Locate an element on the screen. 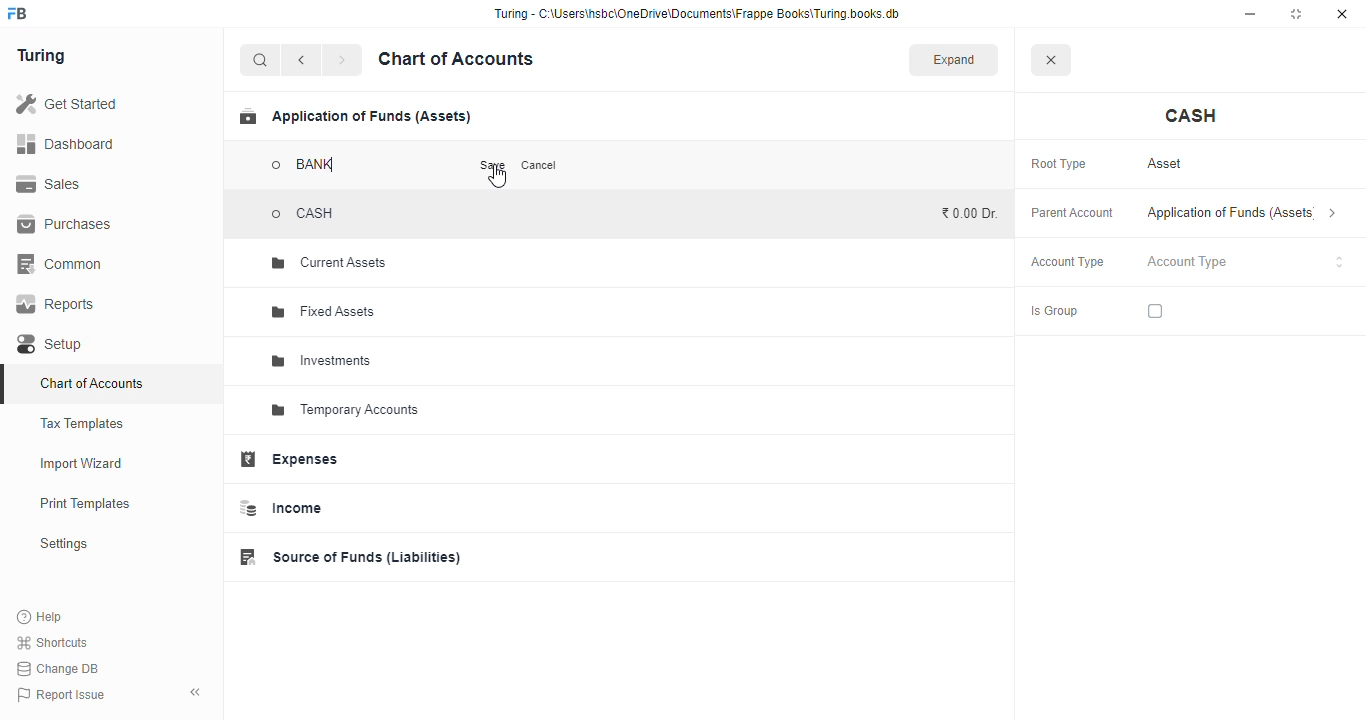 This screenshot has width=1366, height=720. BANK - account added is located at coordinates (304, 165).